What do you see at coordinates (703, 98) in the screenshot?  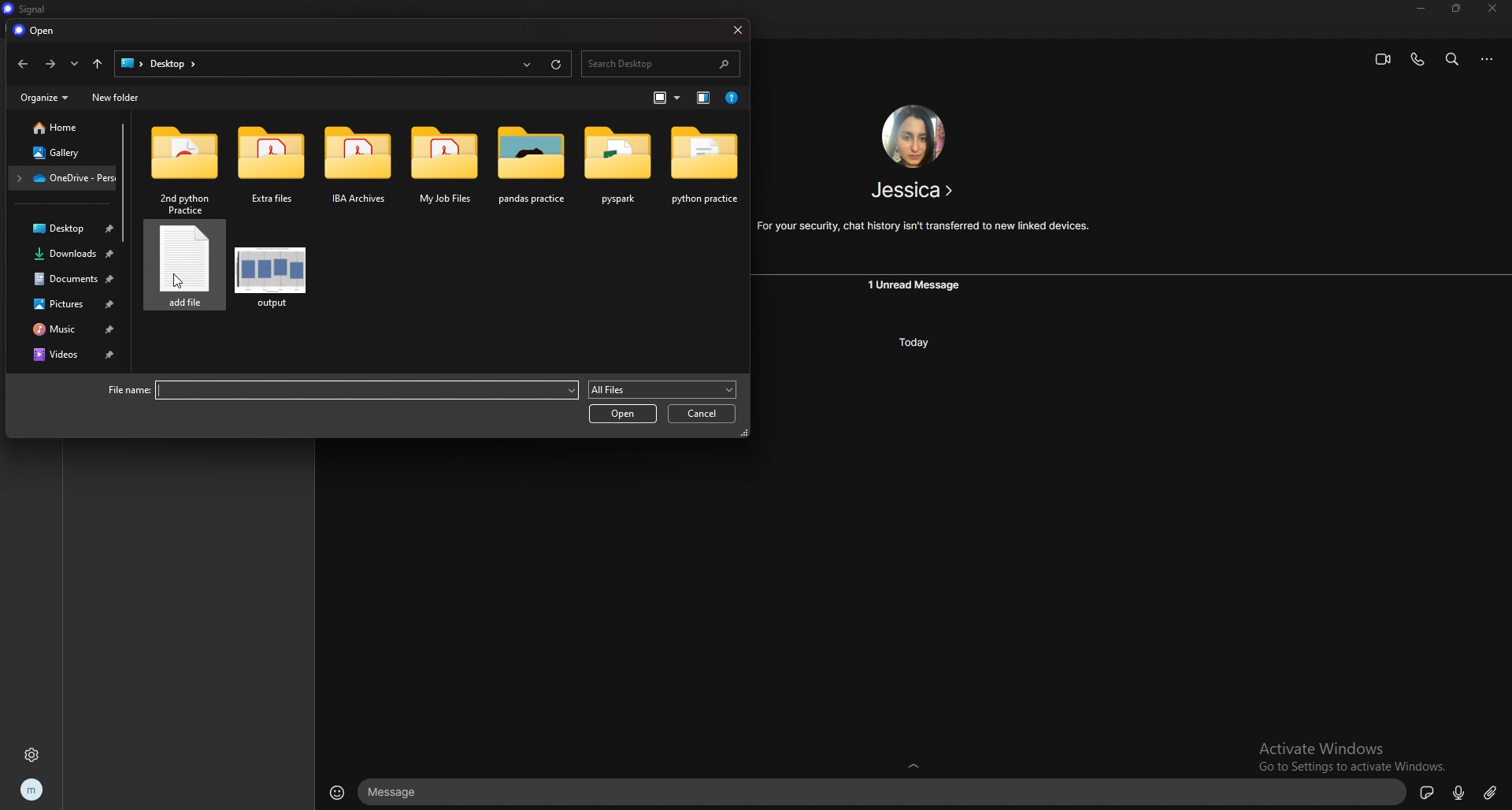 I see `change view` at bounding box center [703, 98].